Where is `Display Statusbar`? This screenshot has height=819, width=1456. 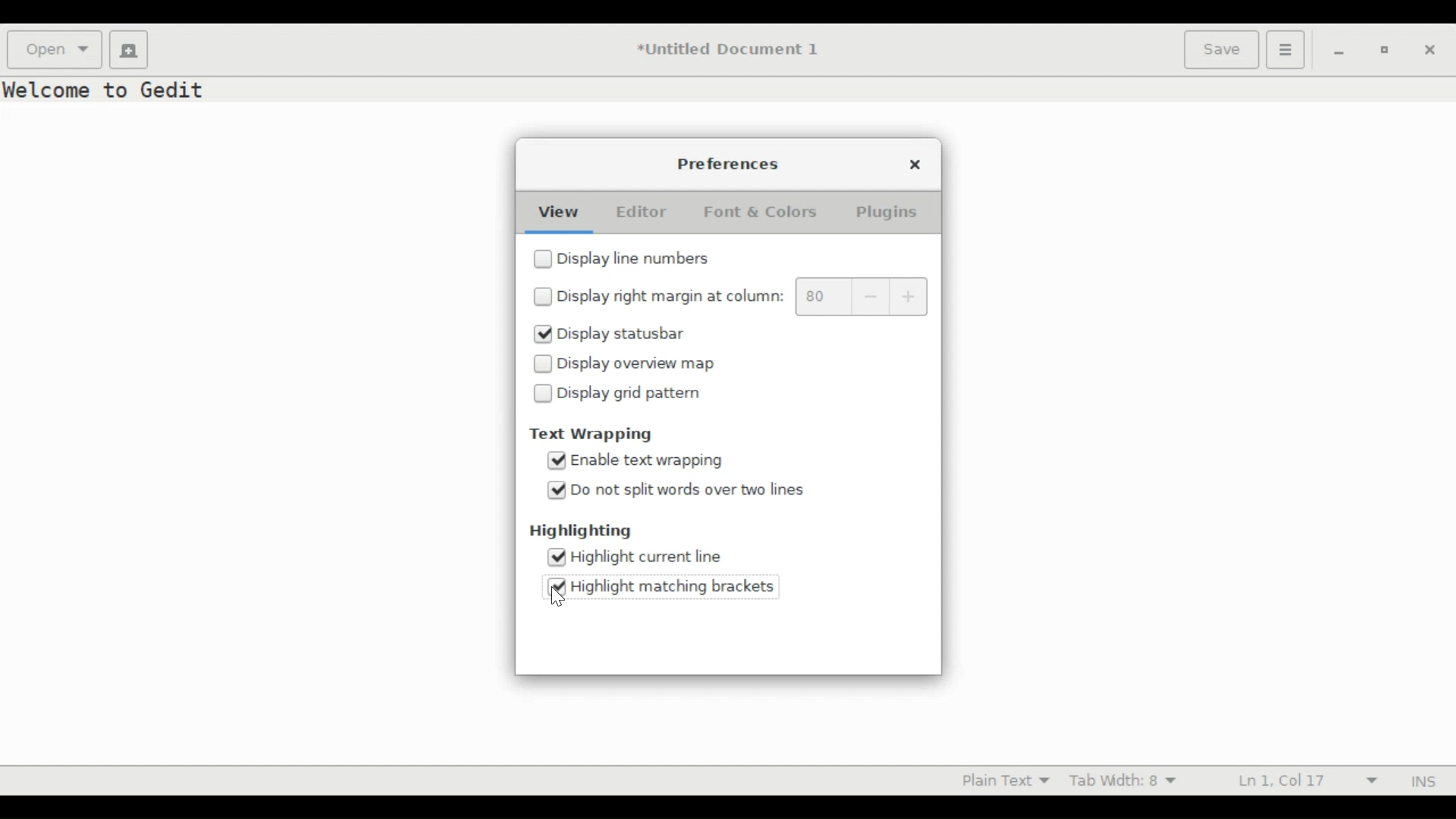
Display Statusbar is located at coordinates (639, 335).